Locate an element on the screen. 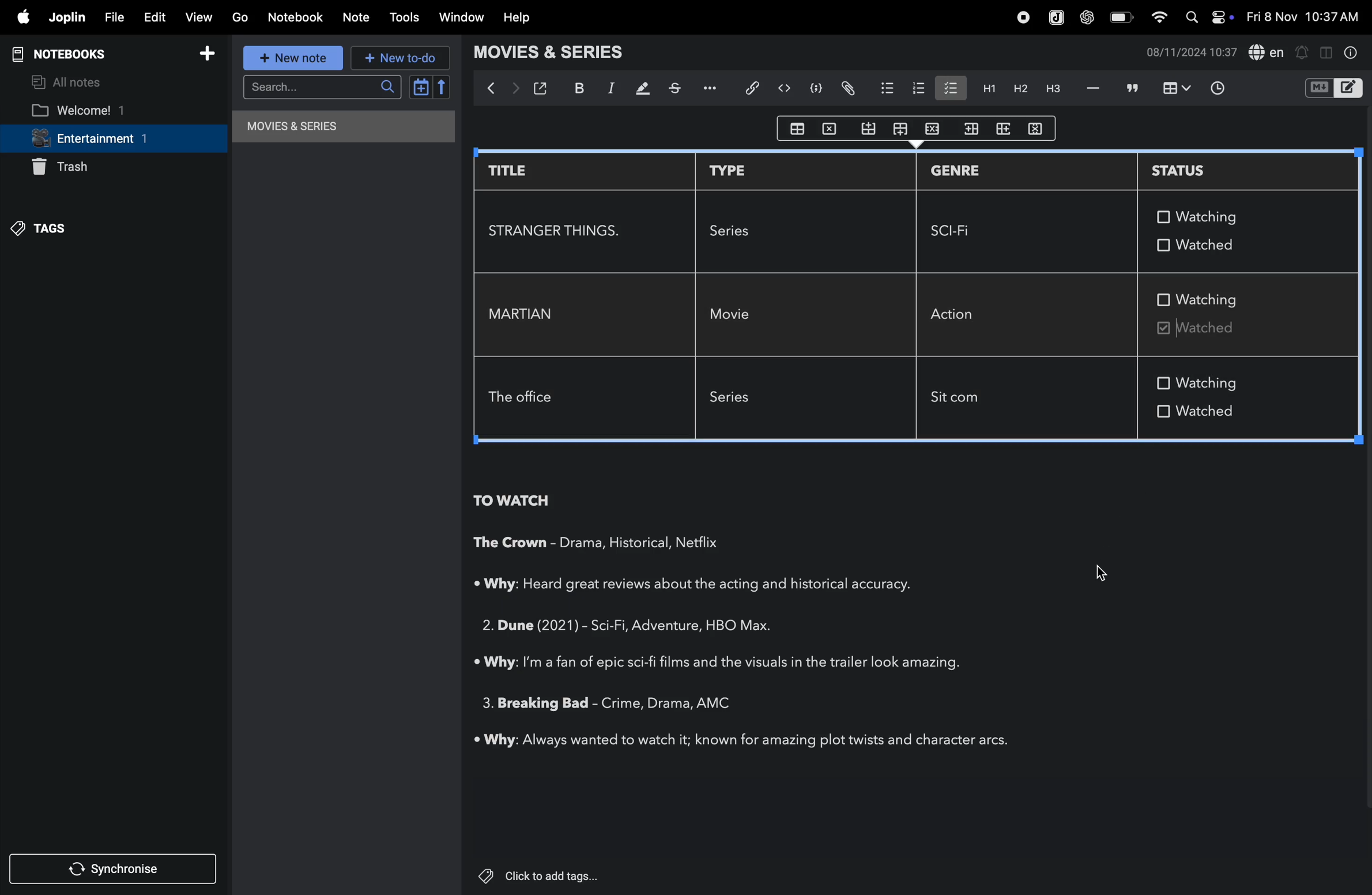  watched is located at coordinates (1234, 415).